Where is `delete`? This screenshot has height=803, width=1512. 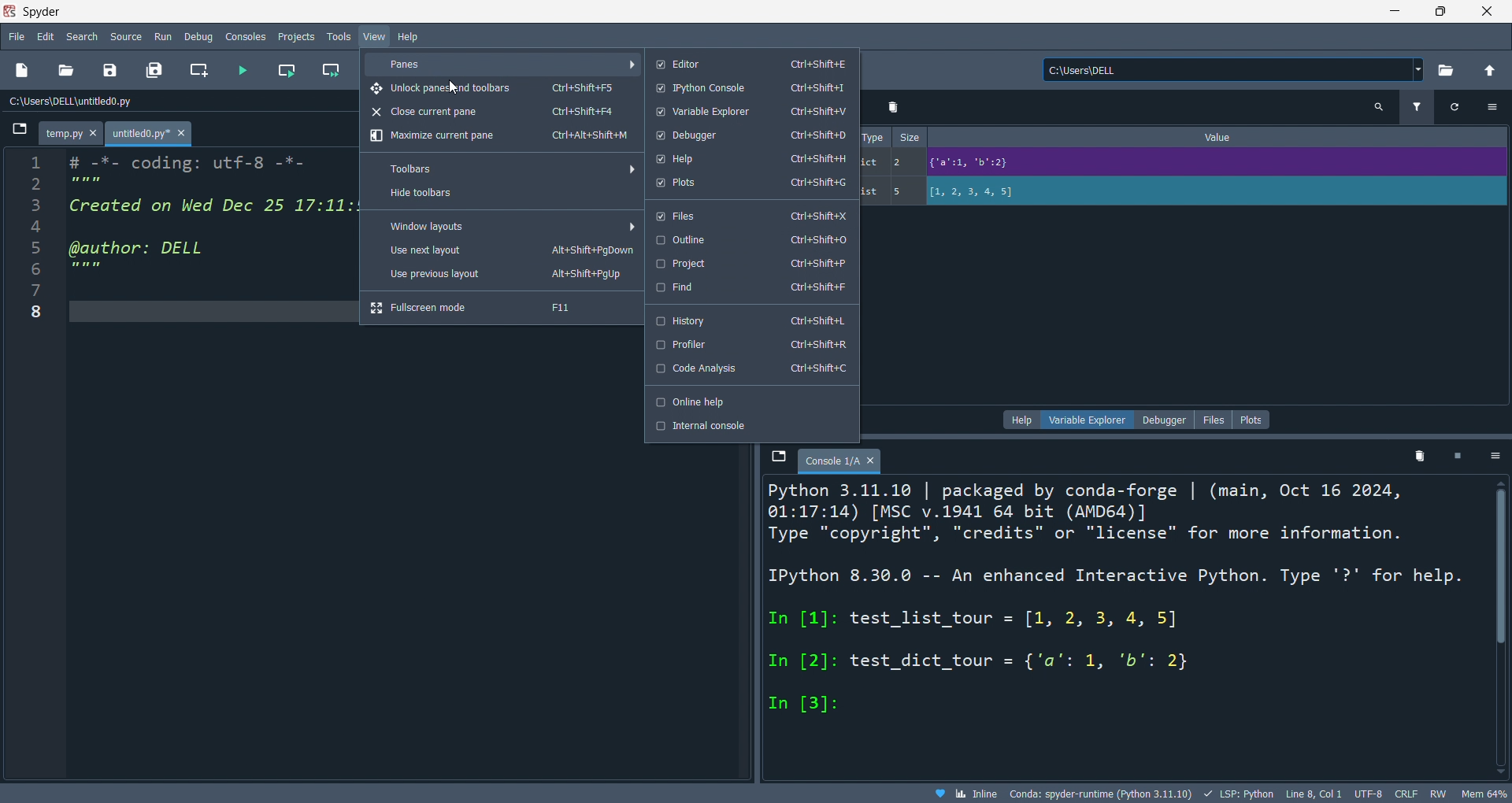 delete is located at coordinates (895, 107).